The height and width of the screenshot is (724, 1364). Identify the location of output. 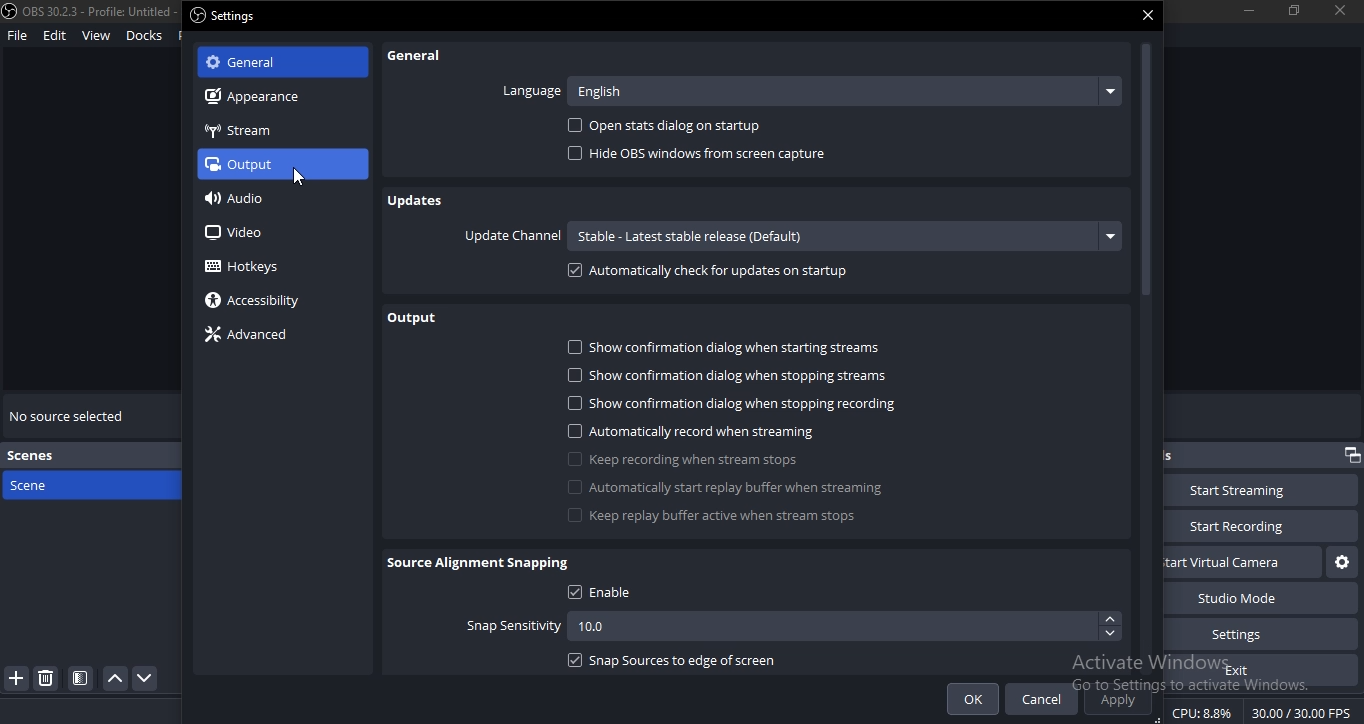
(271, 164).